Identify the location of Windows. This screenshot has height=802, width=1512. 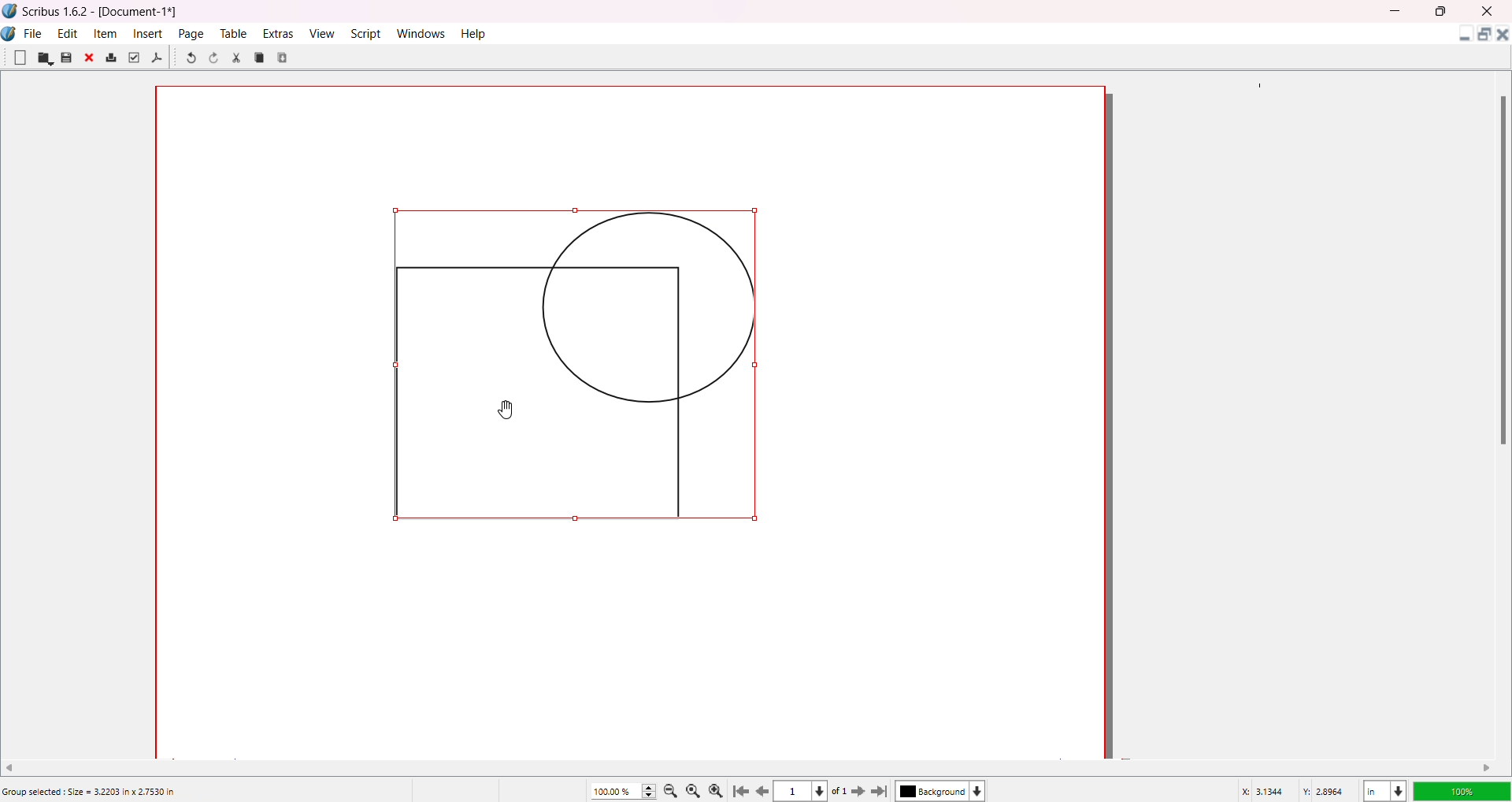
(424, 33).